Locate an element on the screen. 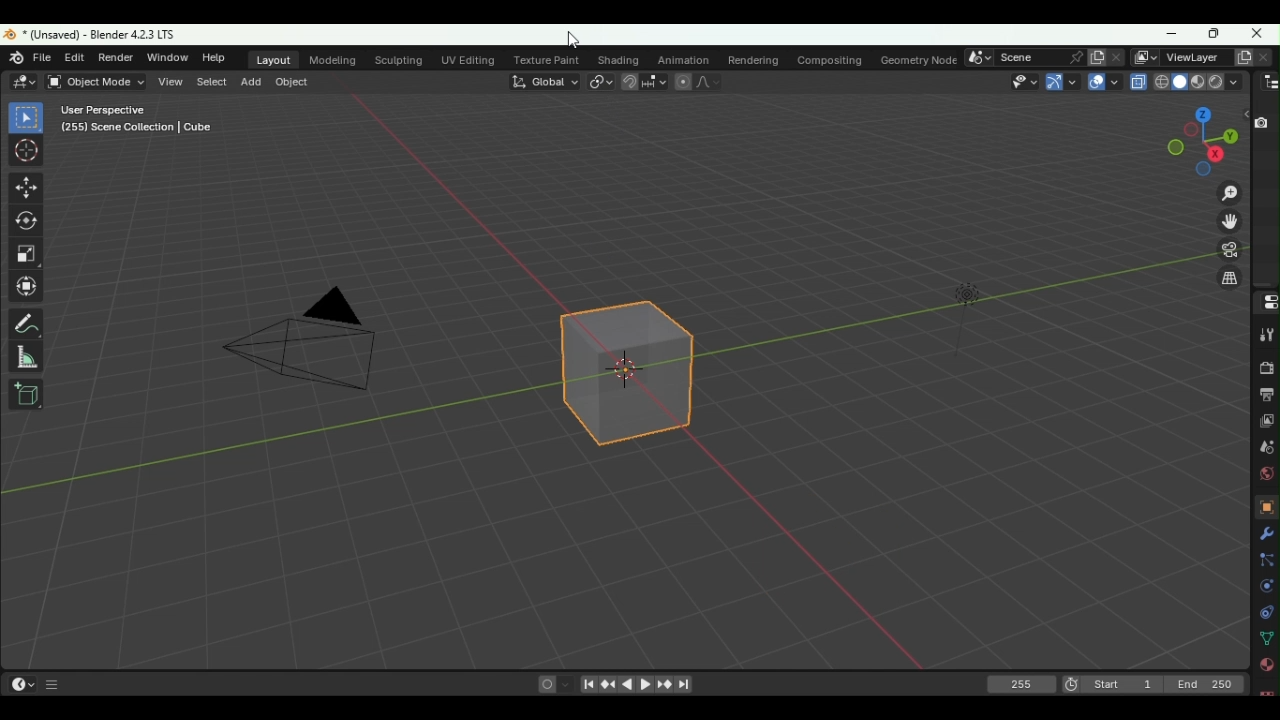 The height and width of the screenshot is (720, 1280). Add is located at coordinates (253, 80).